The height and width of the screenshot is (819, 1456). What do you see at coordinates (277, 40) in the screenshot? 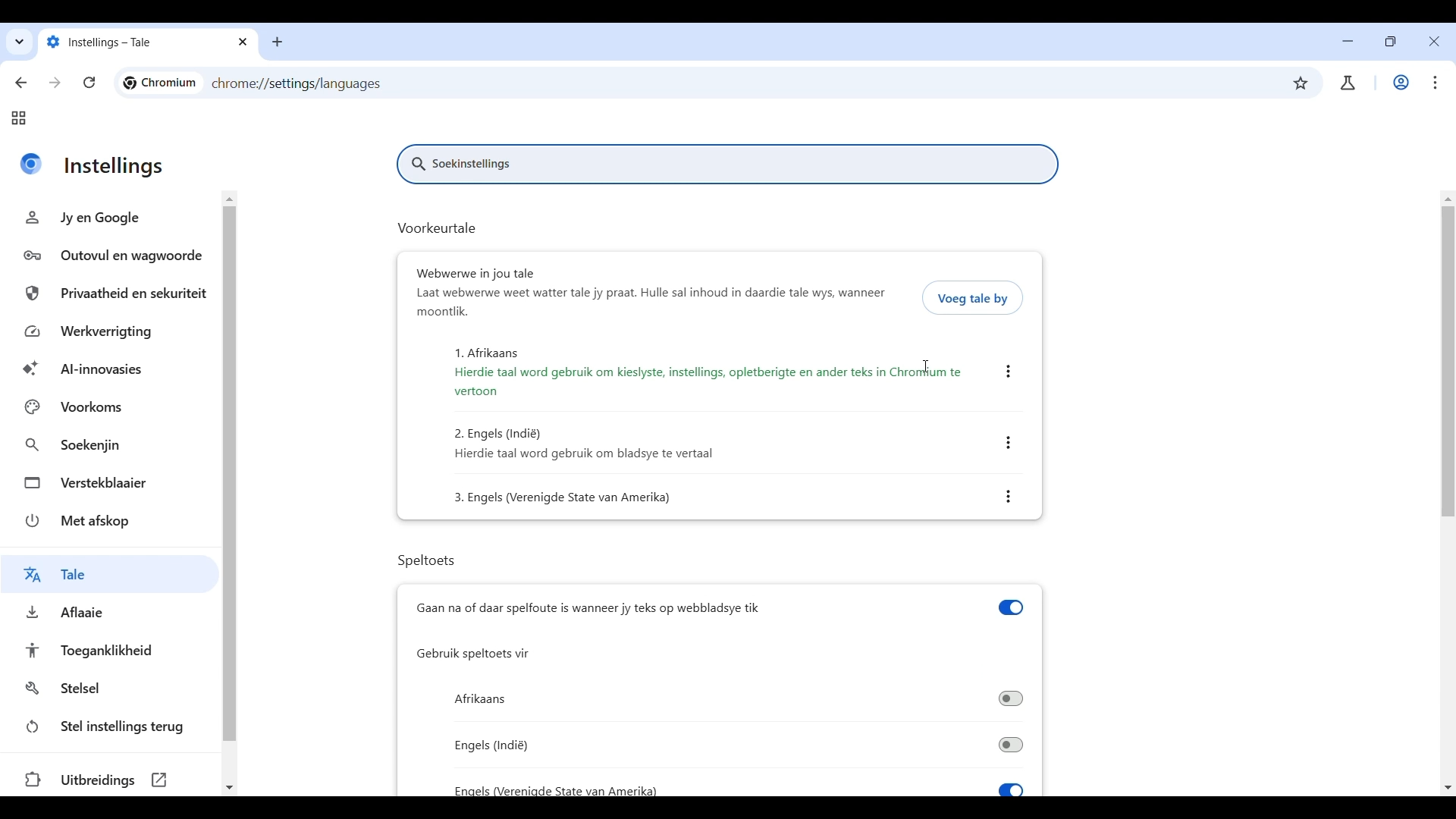
I see `add new tab` at bounding box center [277, 40].